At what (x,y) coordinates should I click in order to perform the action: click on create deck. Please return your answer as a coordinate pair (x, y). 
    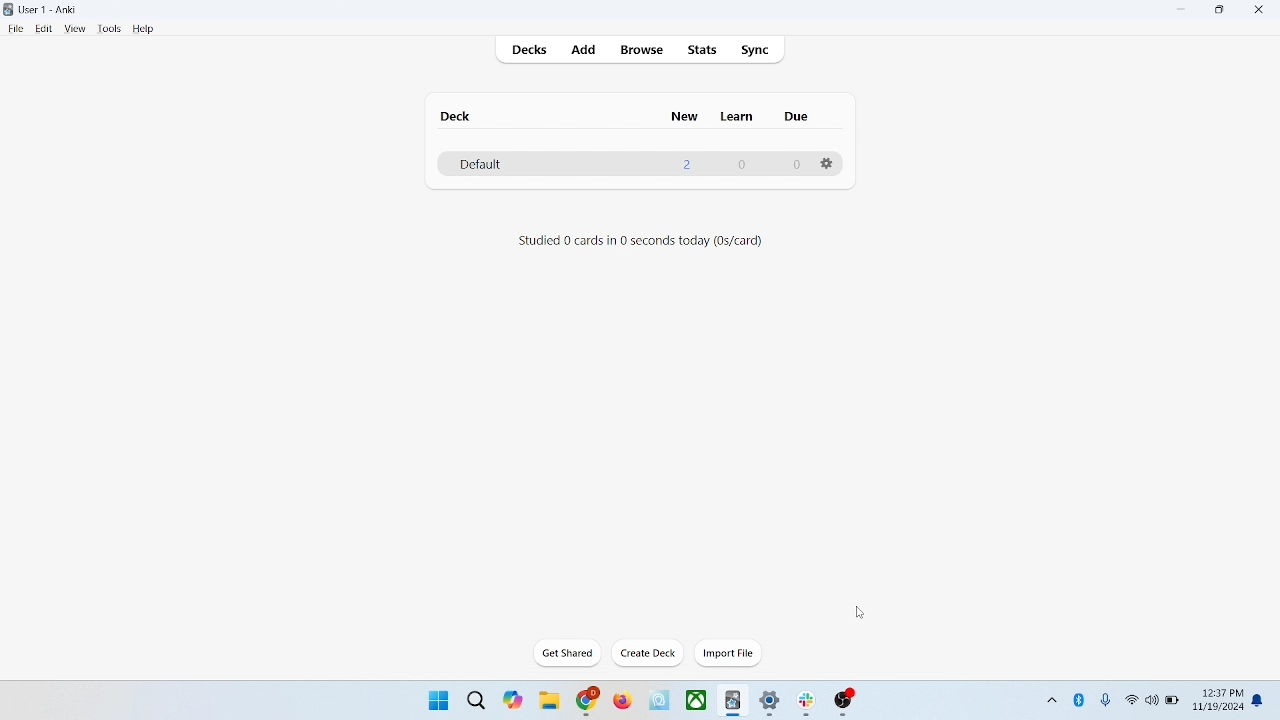
    Looking at the image, I should click on (649, 653).